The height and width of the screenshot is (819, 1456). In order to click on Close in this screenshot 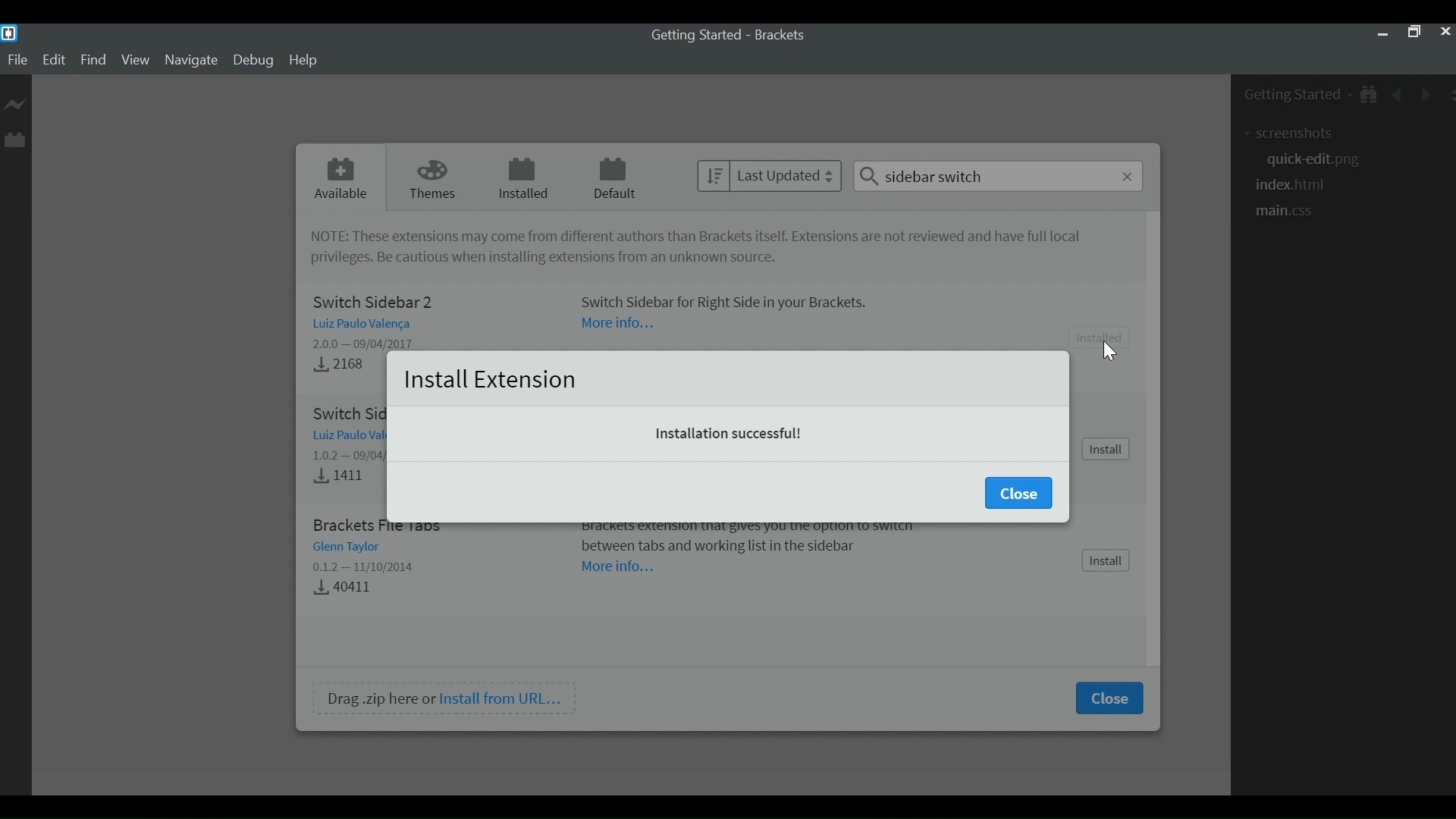, I will do `click(1444, 33)`.